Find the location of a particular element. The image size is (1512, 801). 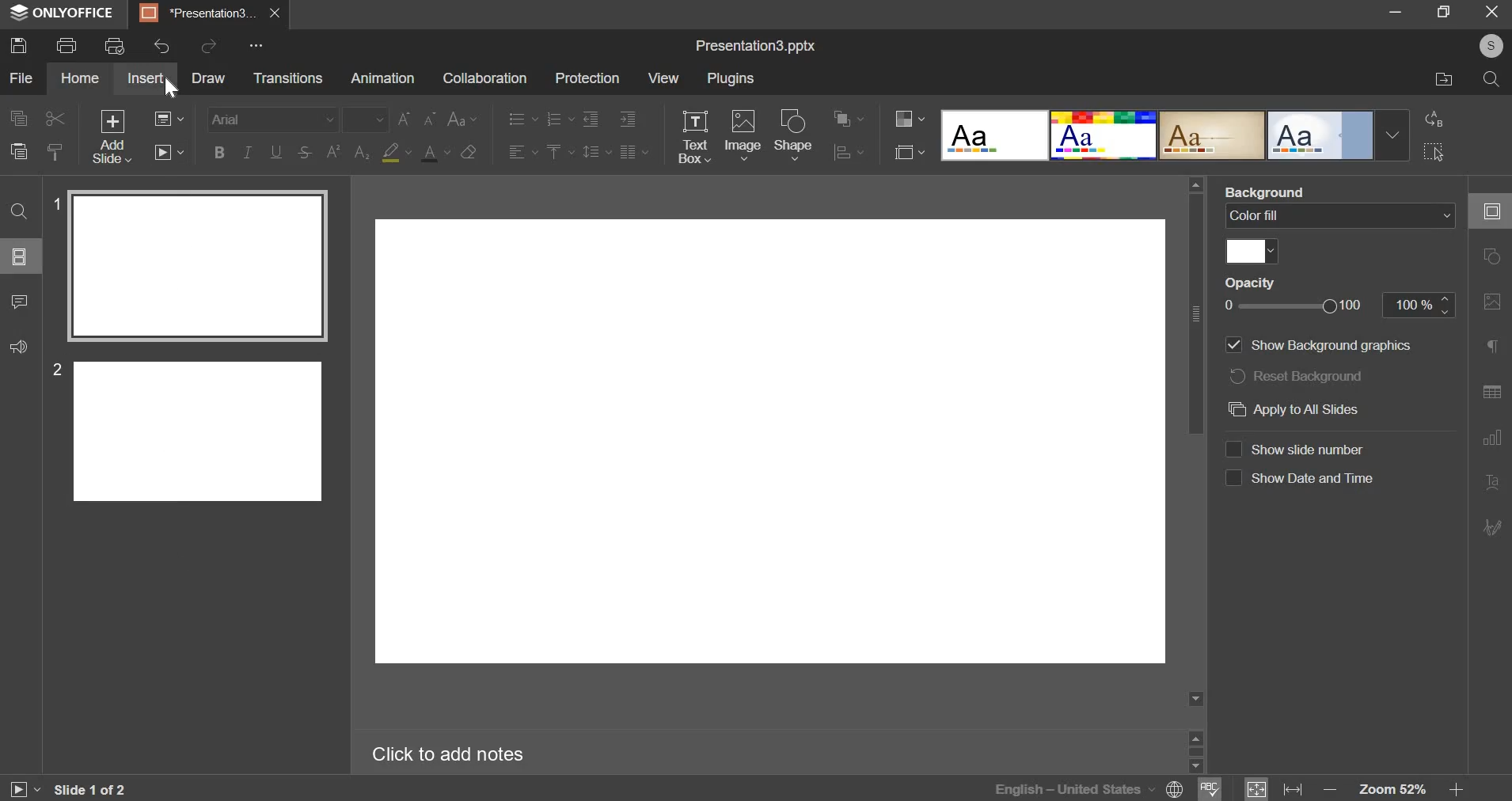

line spacing is located at coordinates (596, 152).